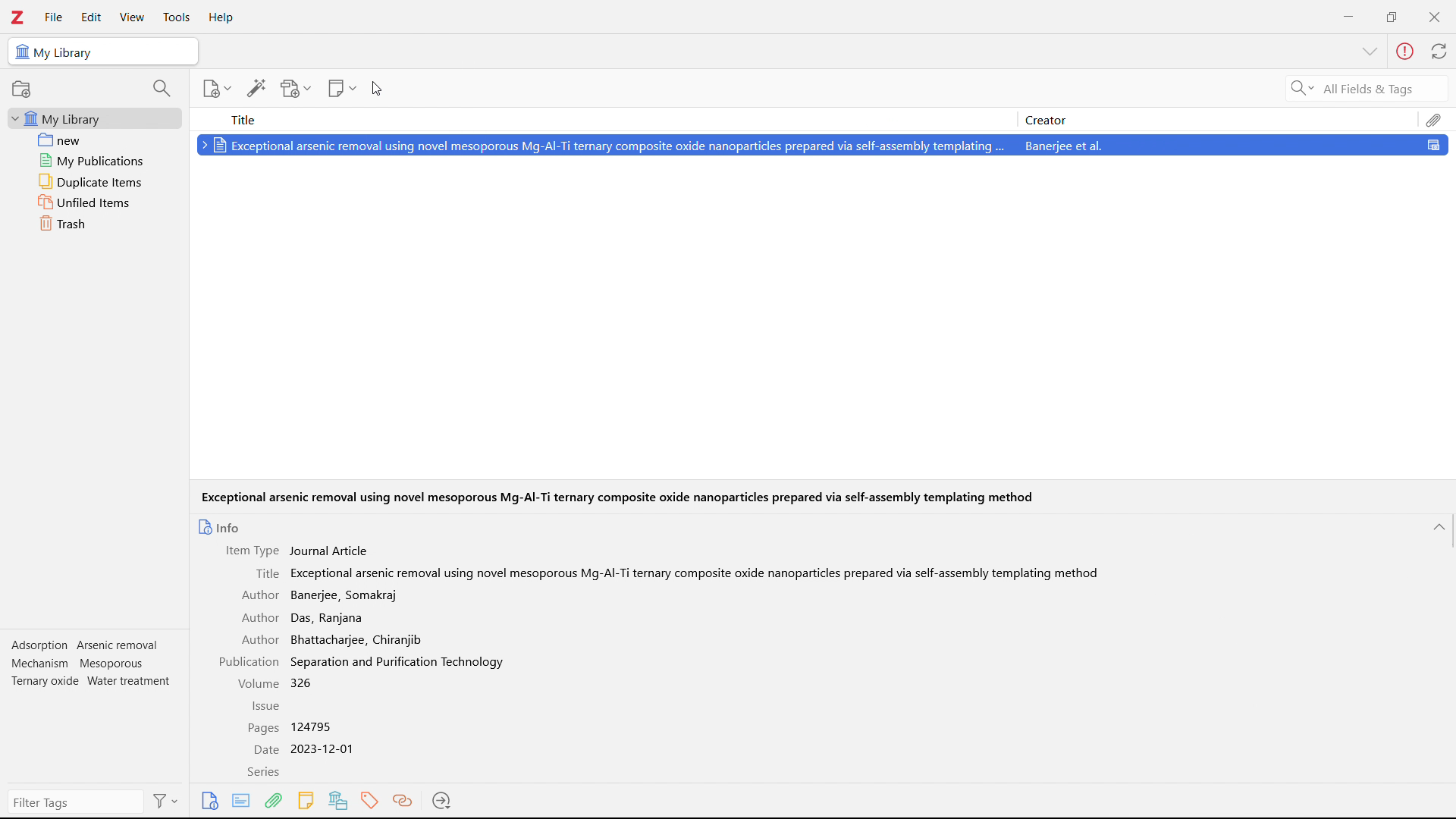 The width and height of the screenshot is (1456, 819). Describe the element at coordinates (617, 497) in the screenshot. I see `Exceptional arsenic removal using novel mesoporous Mg-Al-Ti ternary composite oxide nanoparticles prepared via self-assembly templating method` at that location.